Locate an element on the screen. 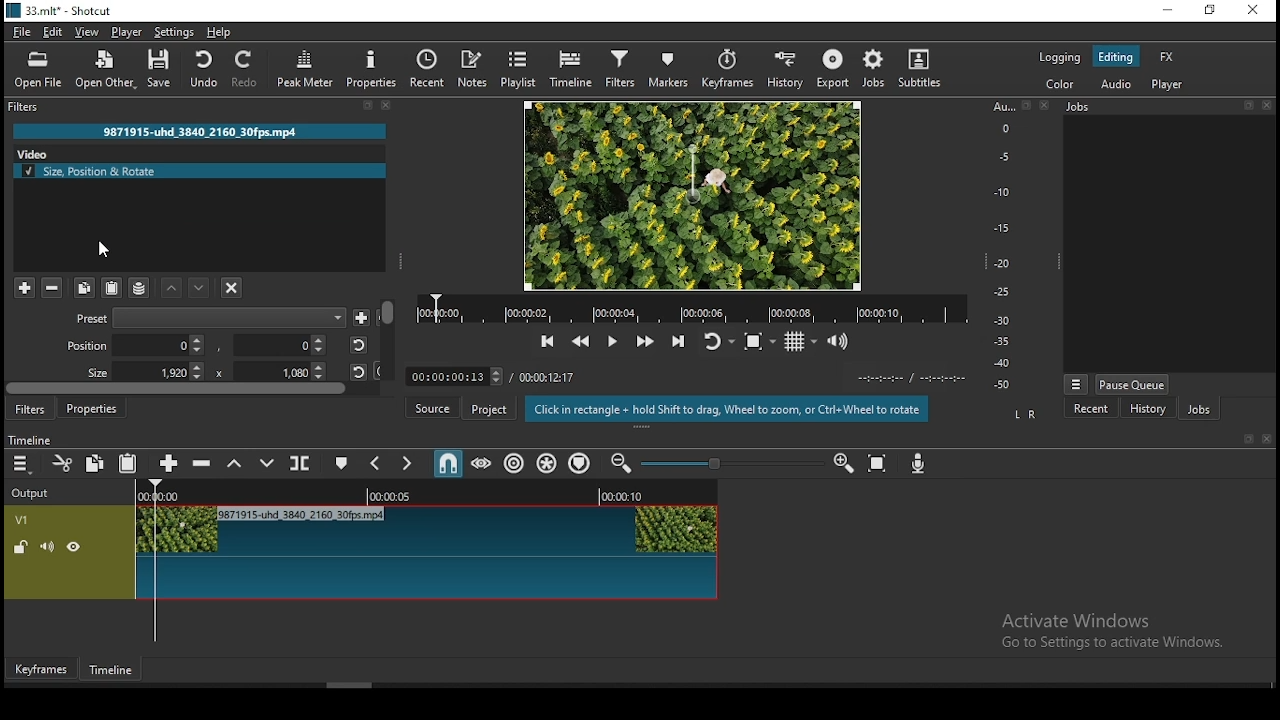 This screenshot has width=1280, height=720. add a filter is located at coordinates (24, 289).